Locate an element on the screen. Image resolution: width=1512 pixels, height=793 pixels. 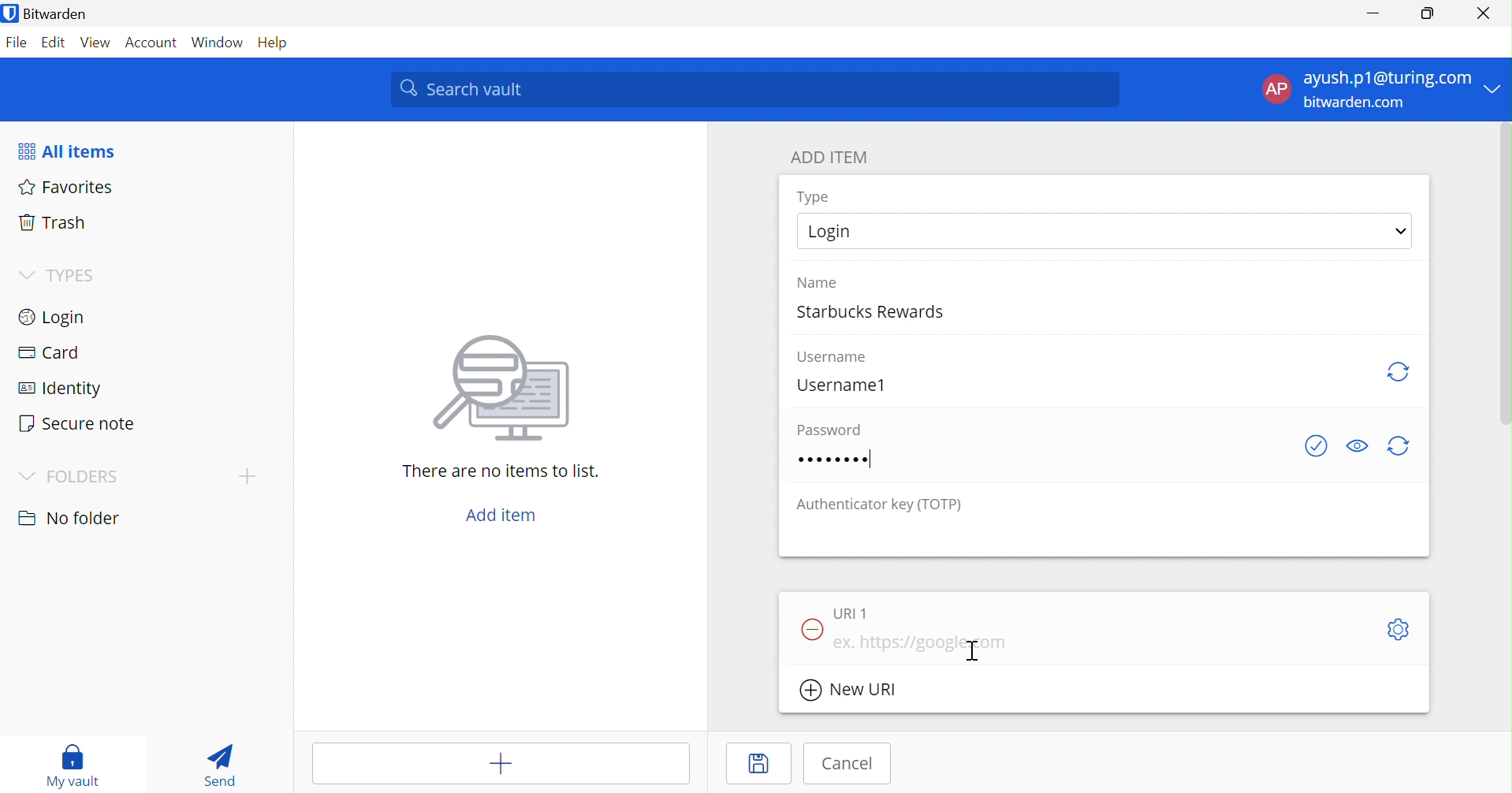
Card is located at coordinates (50, 352).